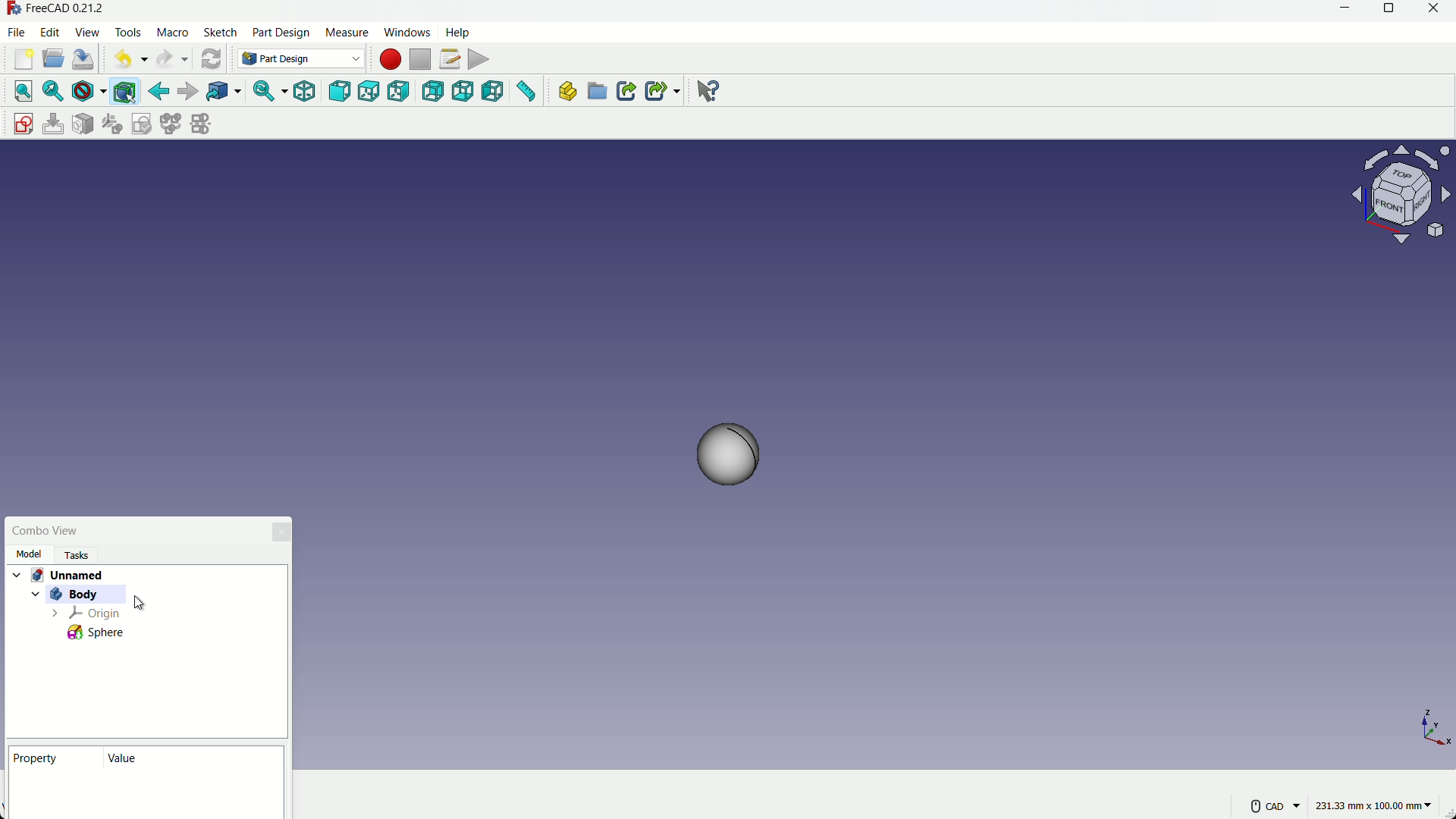 The width and height of the screenshot is (1456, 819). What do you see at coordinates (128, 33) in the screenshot?
I see `tools` at bounding box center [128, 33].